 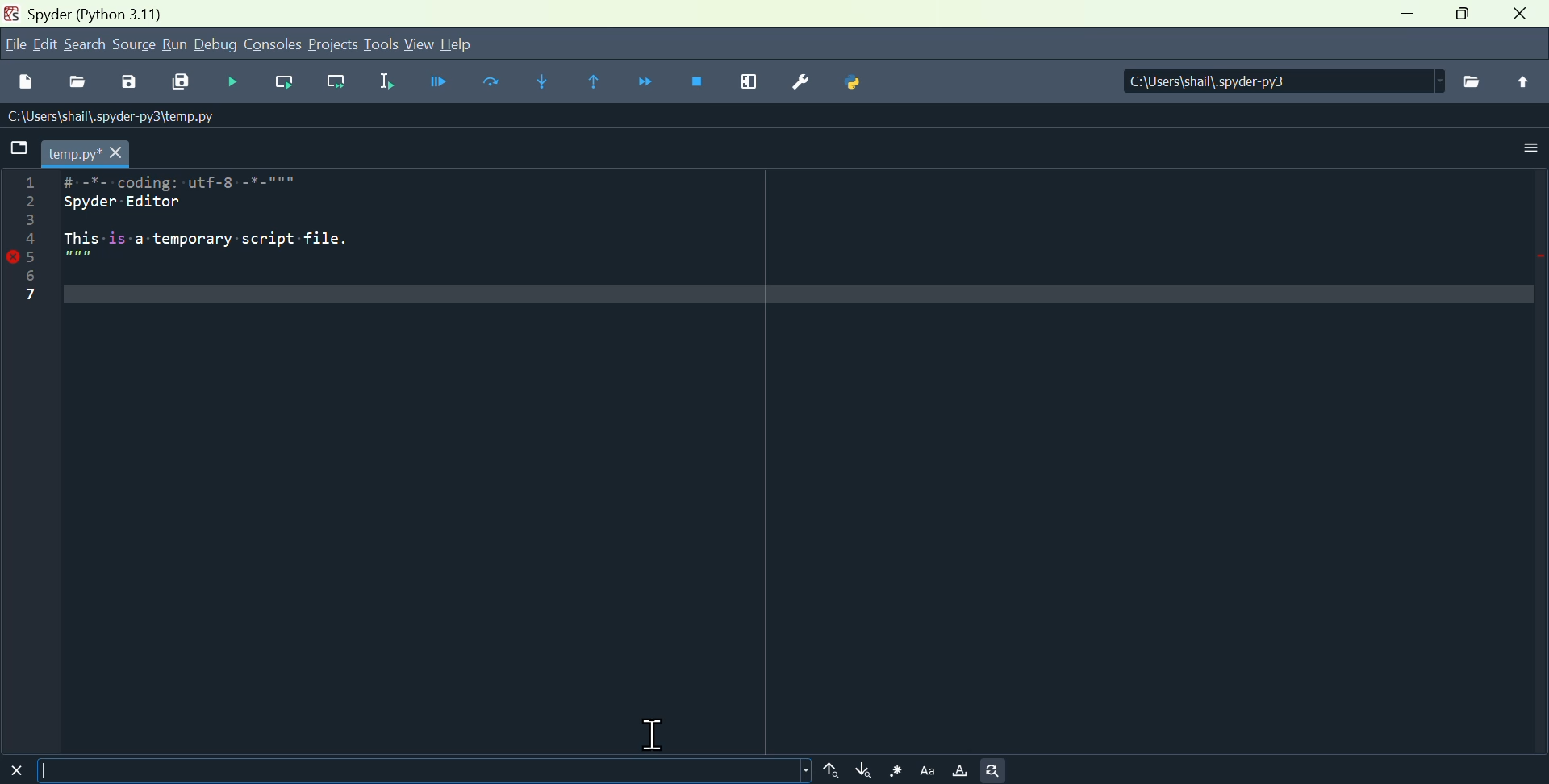 What do you see at coordinates (150, 14) in the screenshot?
I see `Spyder (Python 3.11)` at bounding box center [150, 14].